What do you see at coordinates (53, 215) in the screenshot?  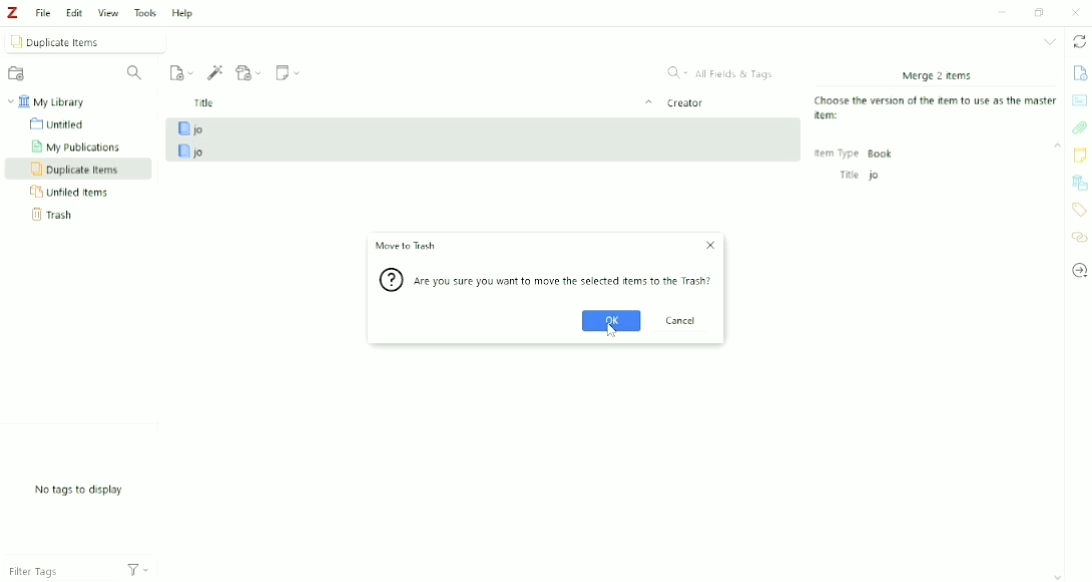 I see `Trash` at bounding box center [53, 215].